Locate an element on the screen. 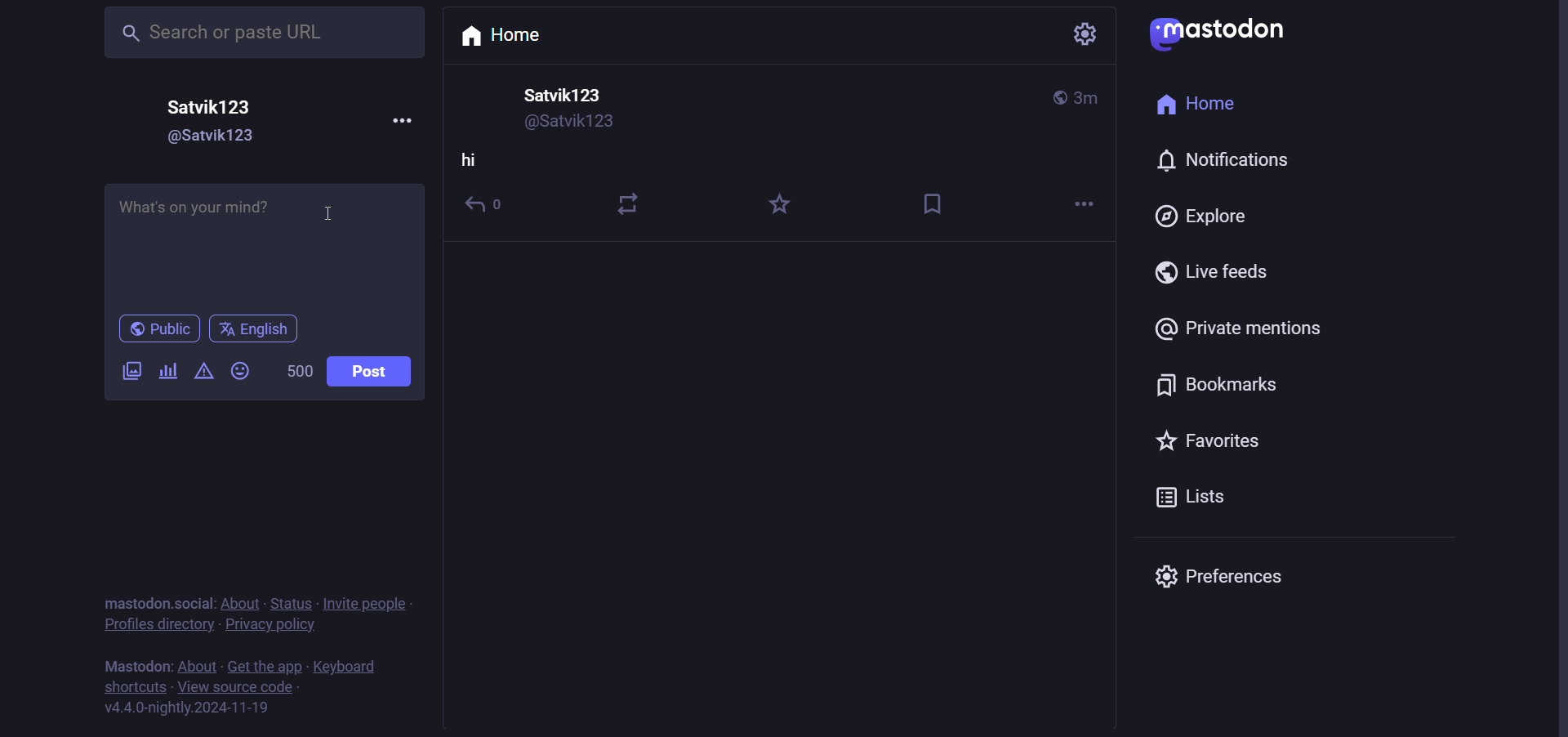  write here is located at coordinates (260, 247).